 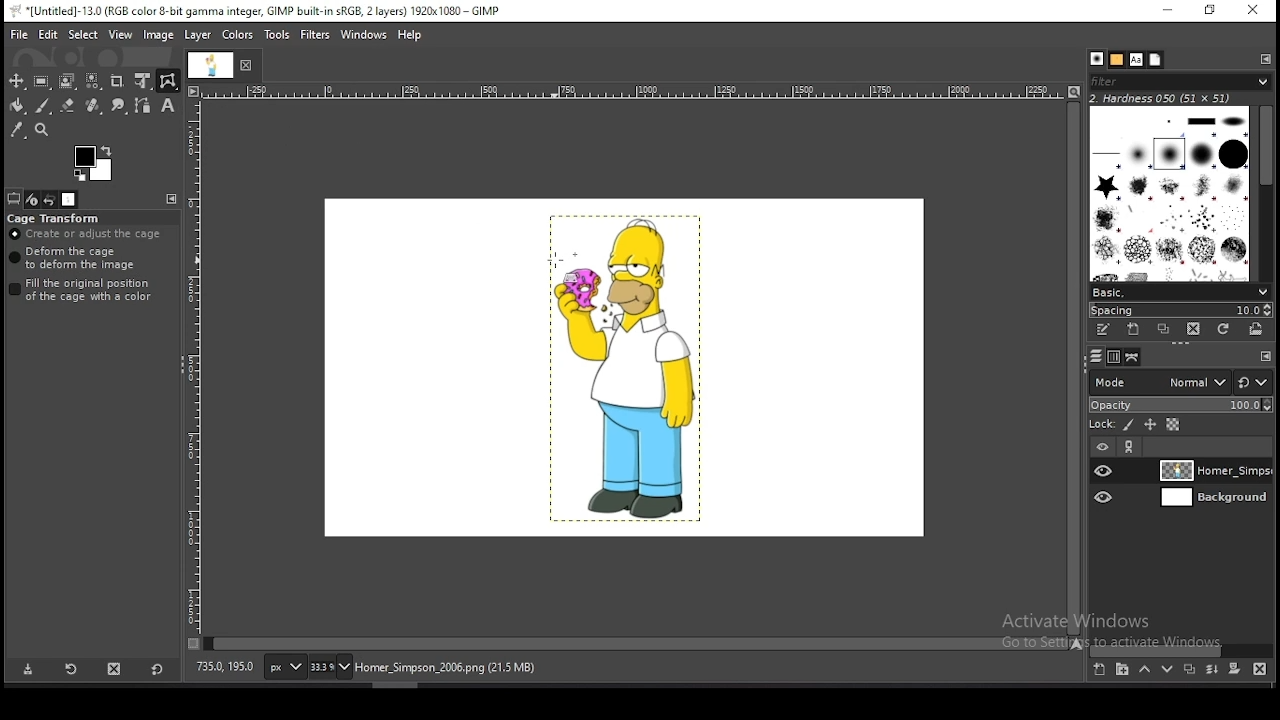 What do you see at coordinates (1112, 356) in the screenshot?
I see `channels` at bounding box center [1112, 356].